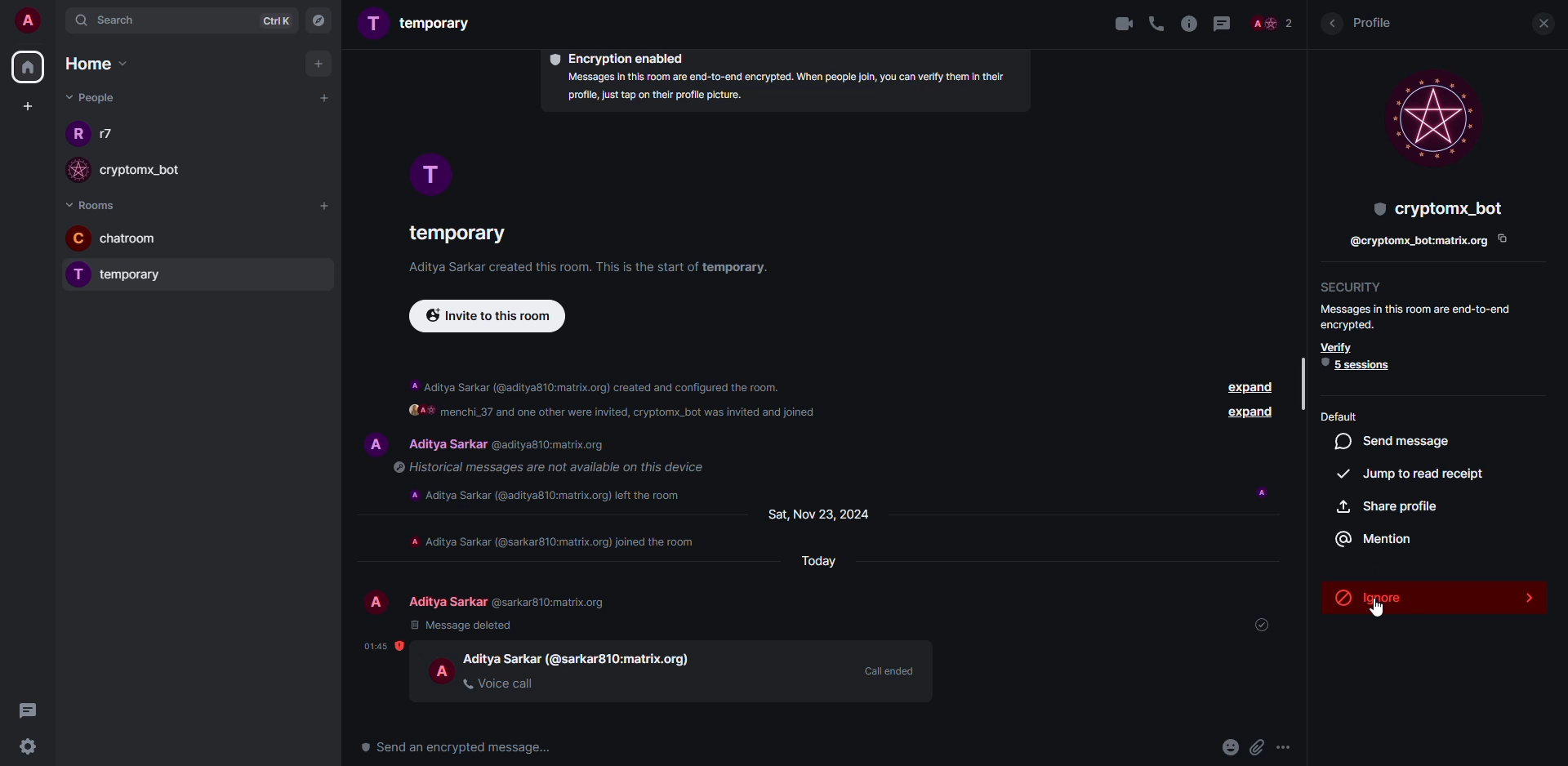  What do you see at coordinates (580, 657) in the screenshot?
I see `people` at bounding box center [580, 657].